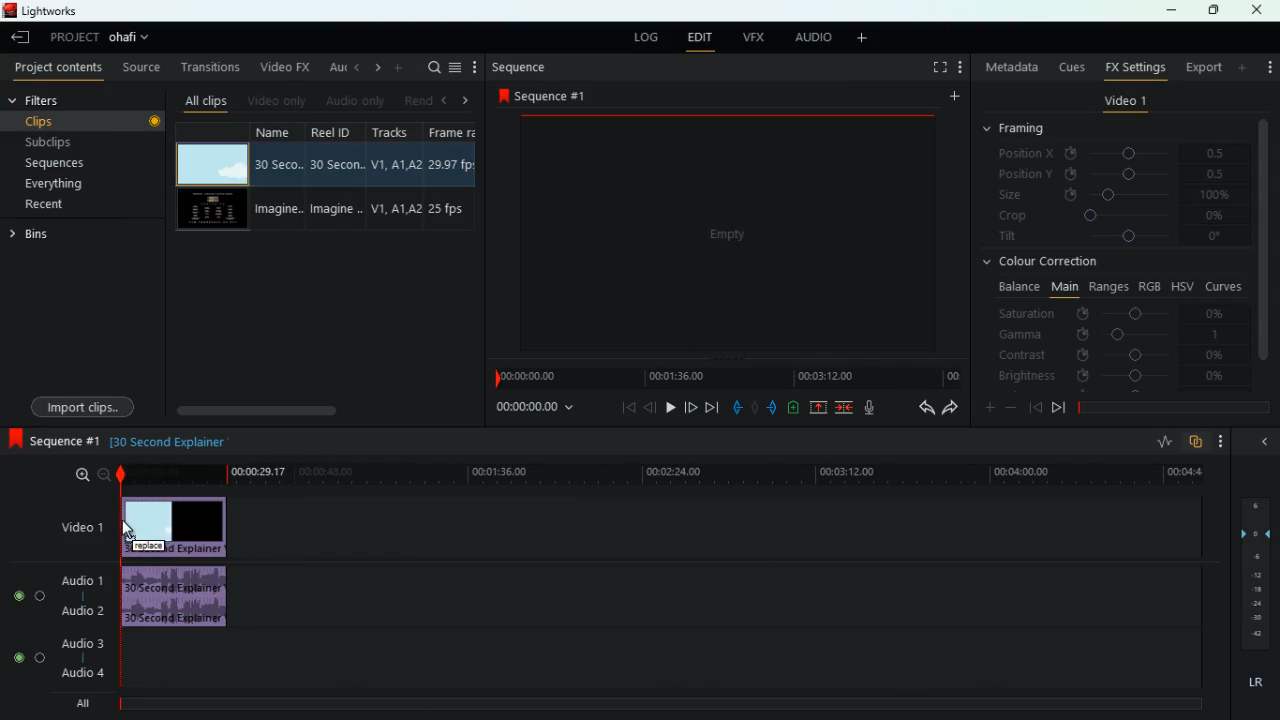 This screenshot has height=720, width=1280. I want to click on pull, so click(737, 408).